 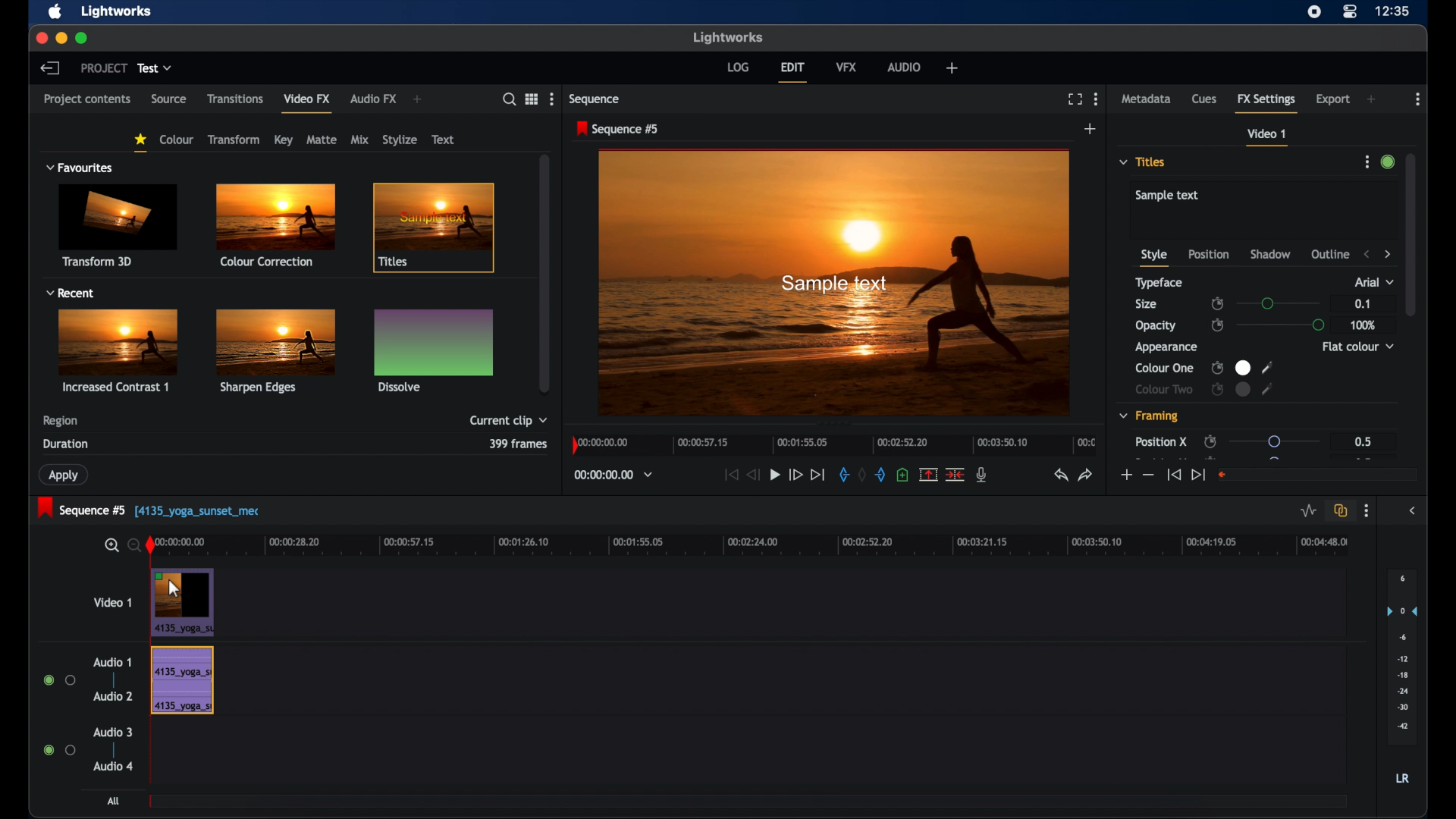 What do you see at coordinates (400, 140) in the screenshot?
I see `stylize` at bounding box center [400, 140].